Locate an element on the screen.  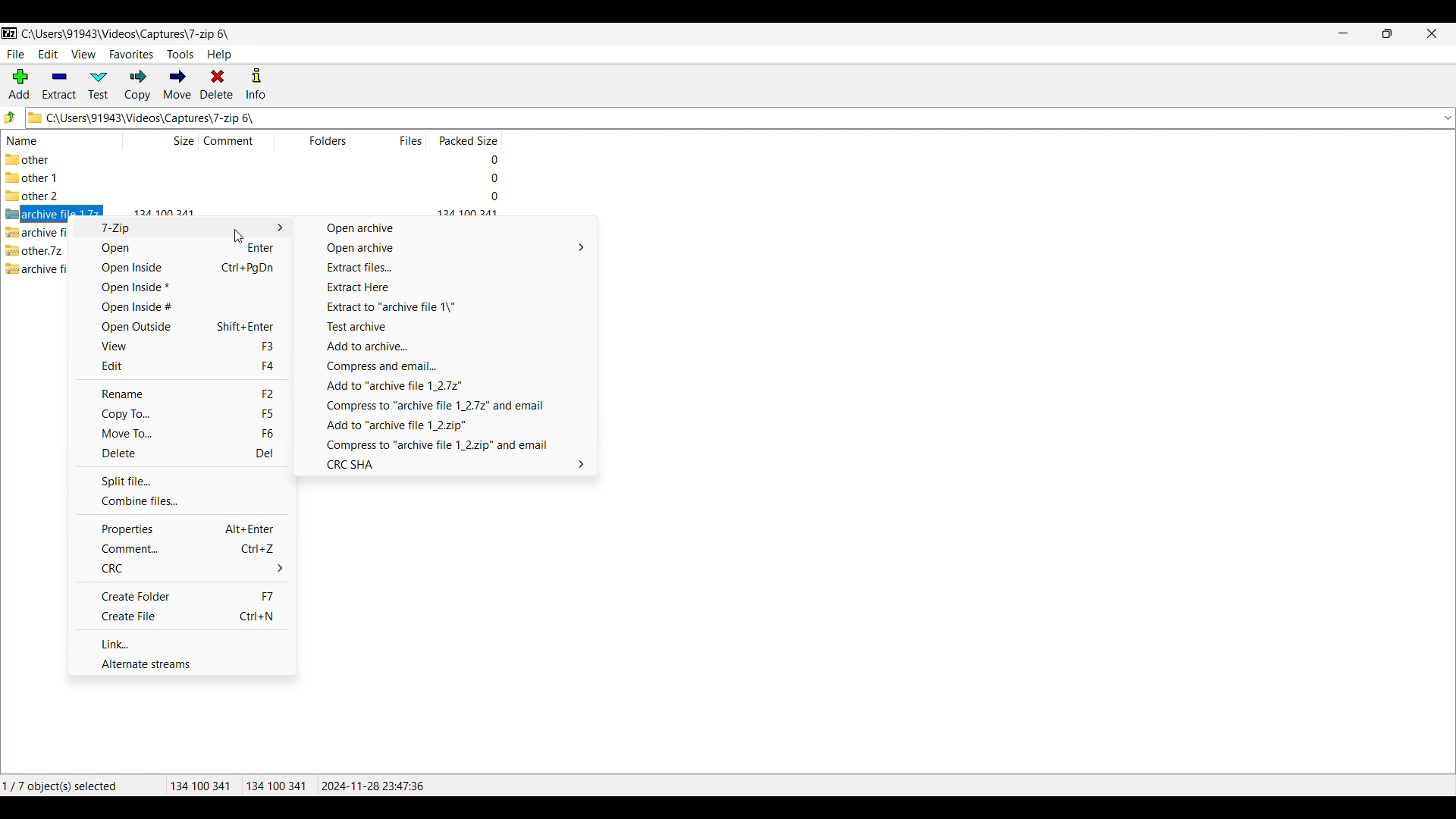
Add to "archive file 1_2.zip" is located at coordinates (451, 425).